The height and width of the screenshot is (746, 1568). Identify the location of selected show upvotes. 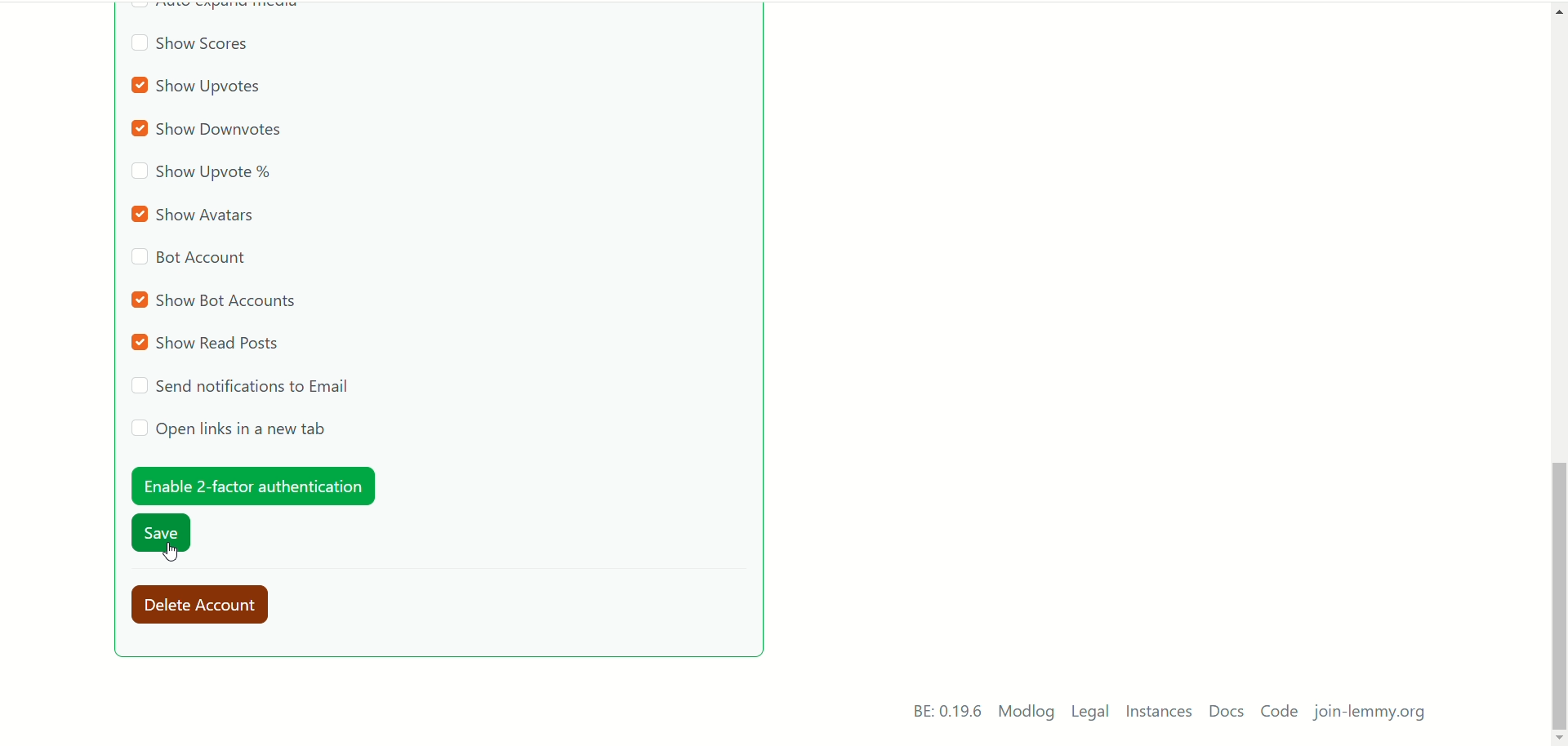
(199, 87).